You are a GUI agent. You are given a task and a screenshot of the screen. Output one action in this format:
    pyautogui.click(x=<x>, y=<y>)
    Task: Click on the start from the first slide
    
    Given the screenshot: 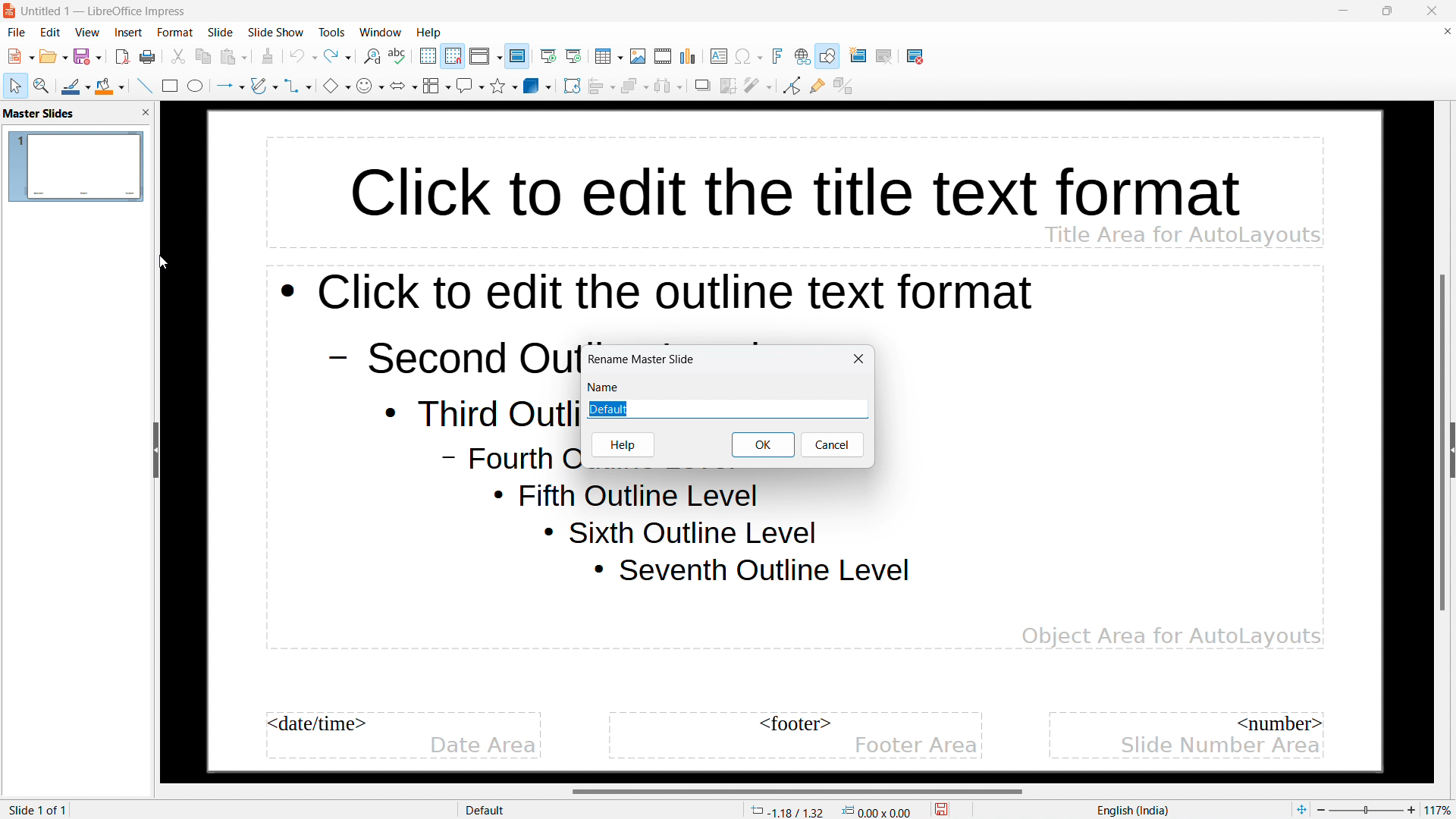 What is the action you would take?
    pyautogui.click(x=549, y=57)
    